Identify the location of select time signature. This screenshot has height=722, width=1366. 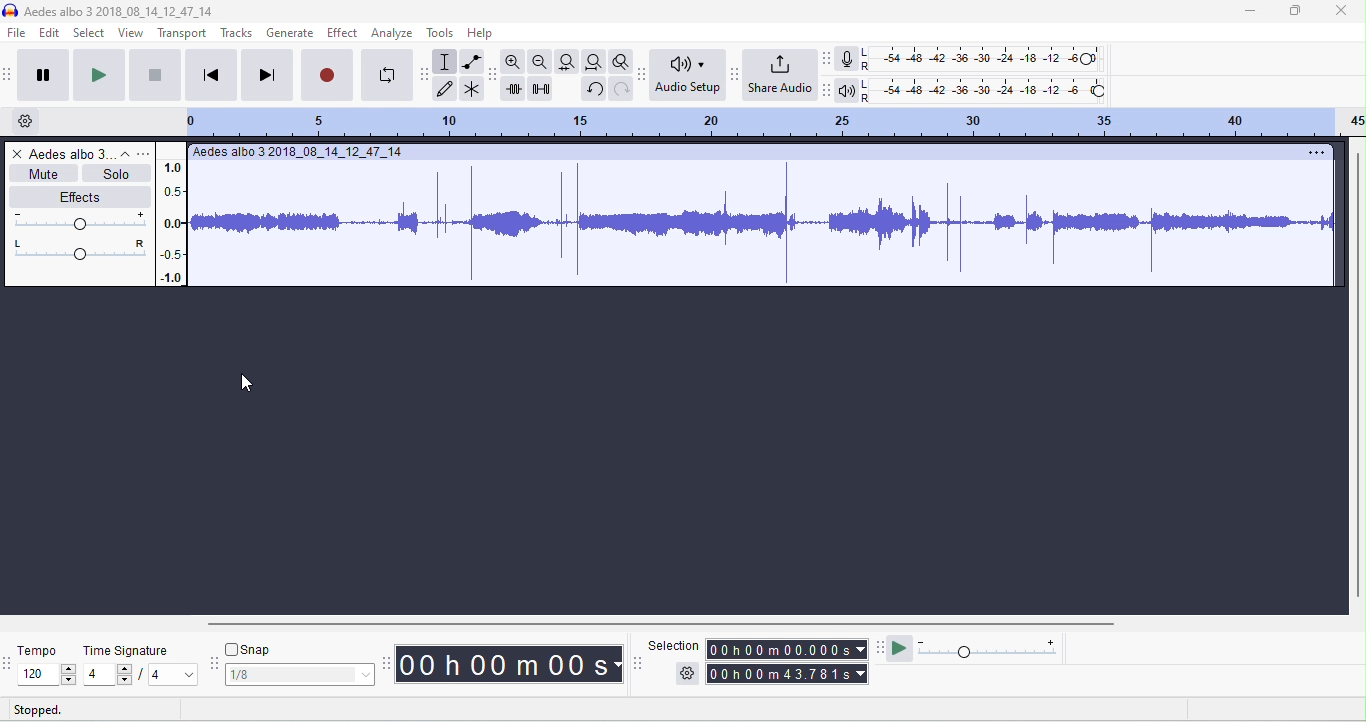
(139, 675).